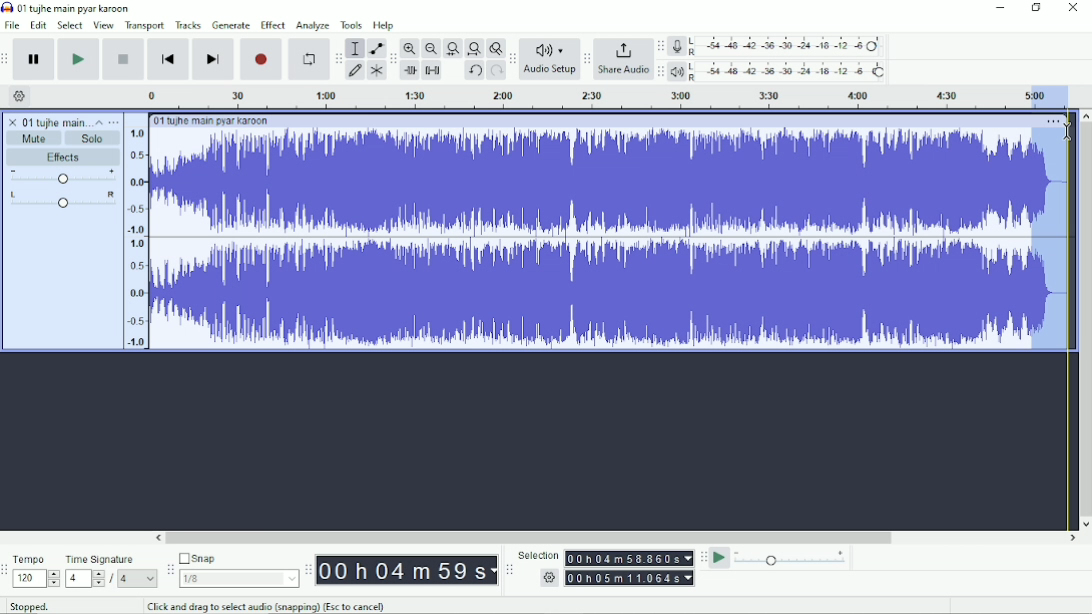 The width and height of the screenshot is (1092, 614). I want to click on 00h00m00.000s, so click(630, 559).